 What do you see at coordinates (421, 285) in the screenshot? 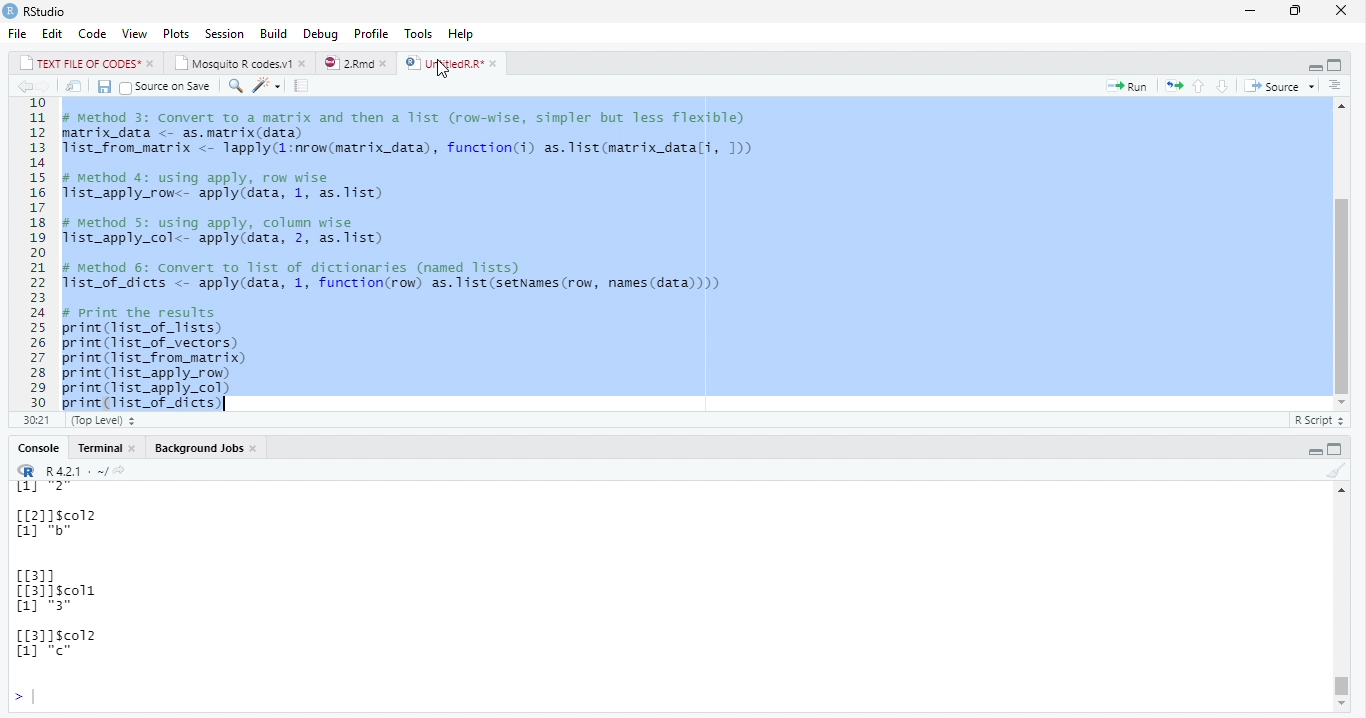
I see `Tist_of_dicts <- apply(data, 1, function(row) as.list(setNames(row, names(data))))` at bounding box center [421, 285].